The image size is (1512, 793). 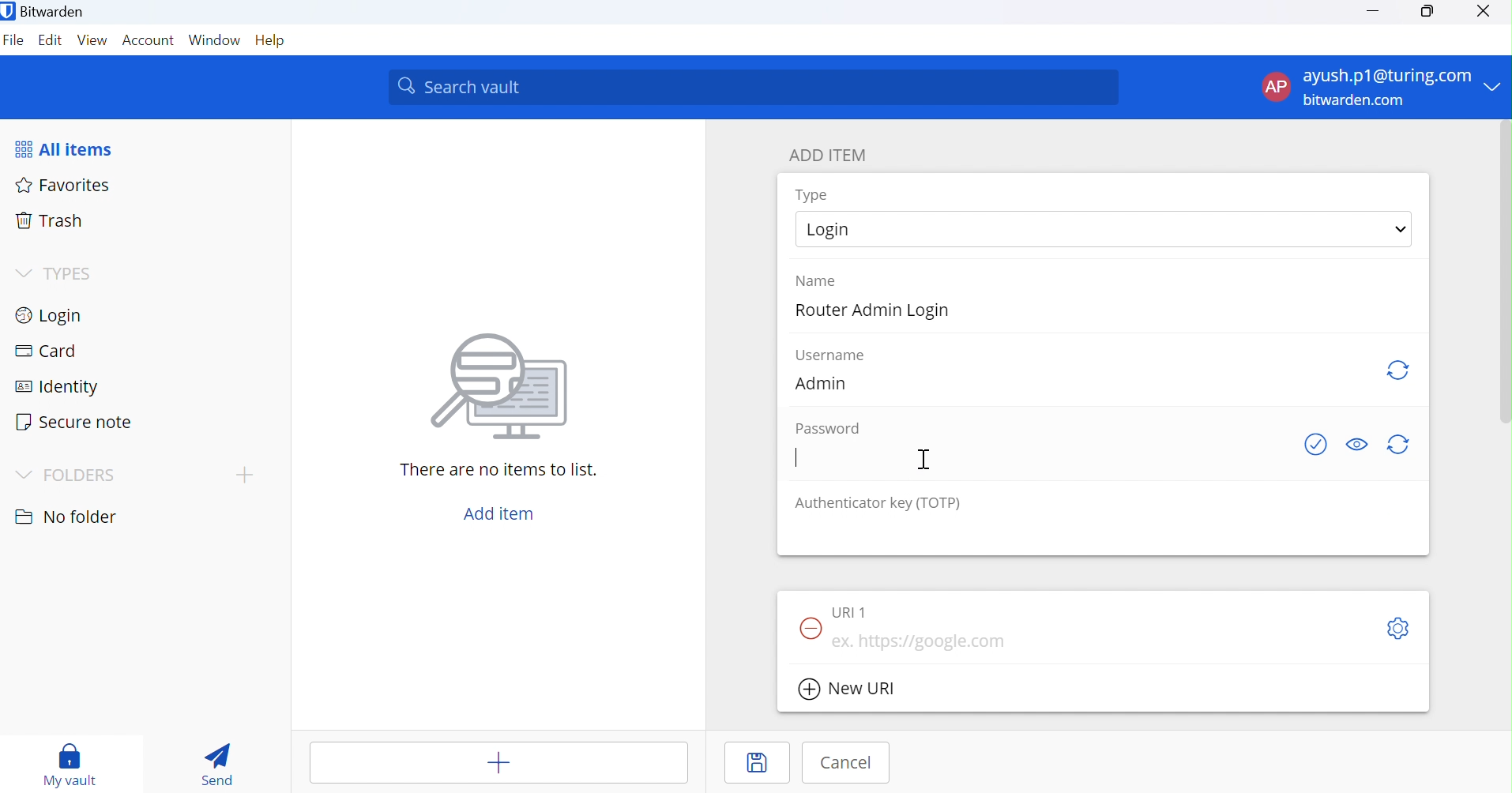 What do you see at coordinates (51, 223) in the screenshot?
I see `Trash` at bounding box center [51, 223].